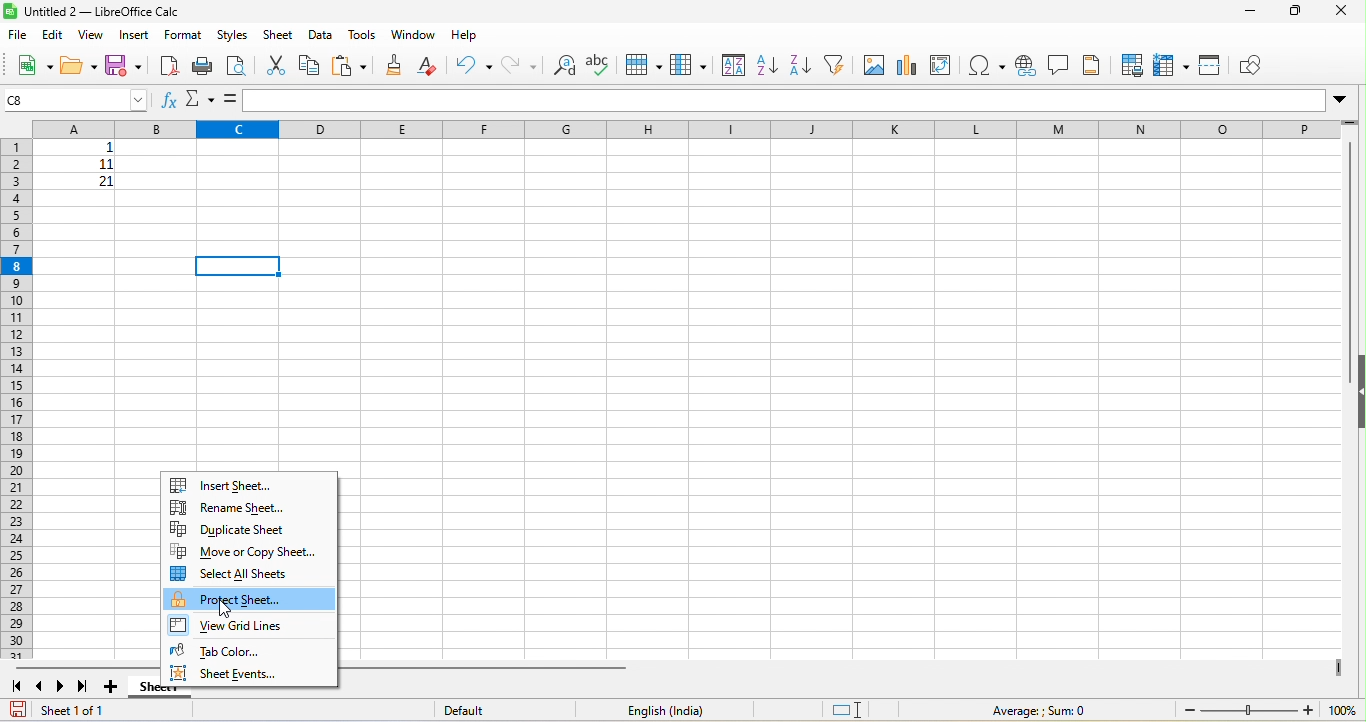 Image resolution: width=1366 pixels, height=722 pixels. I want to click on sheet events, so click(248, 675).